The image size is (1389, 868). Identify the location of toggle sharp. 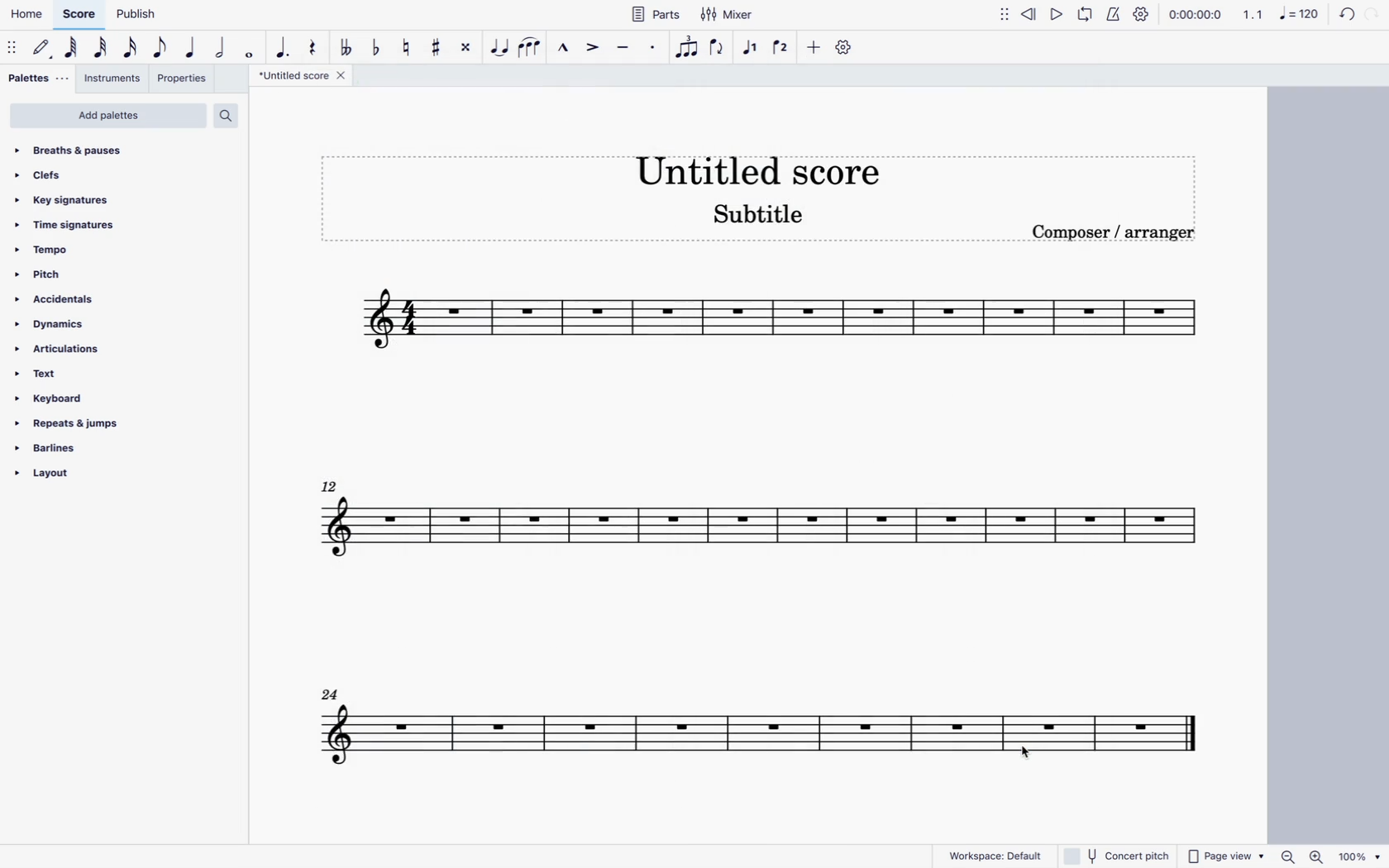
(437, 51).